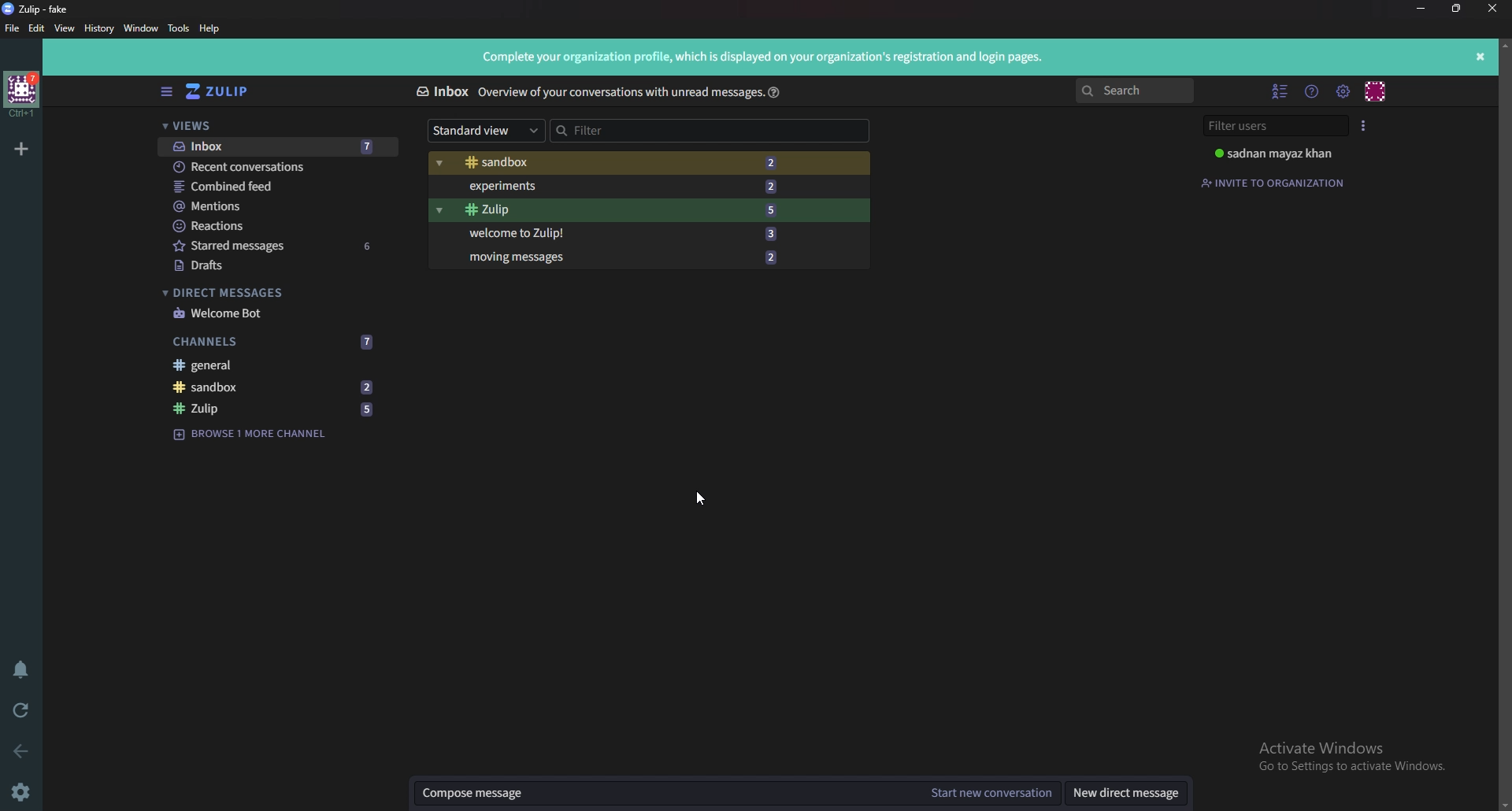 The image size is (1512, 811). Describe the element at coordinates (40, 9) in the screenshot. I see `Zulip - fake` at that location.